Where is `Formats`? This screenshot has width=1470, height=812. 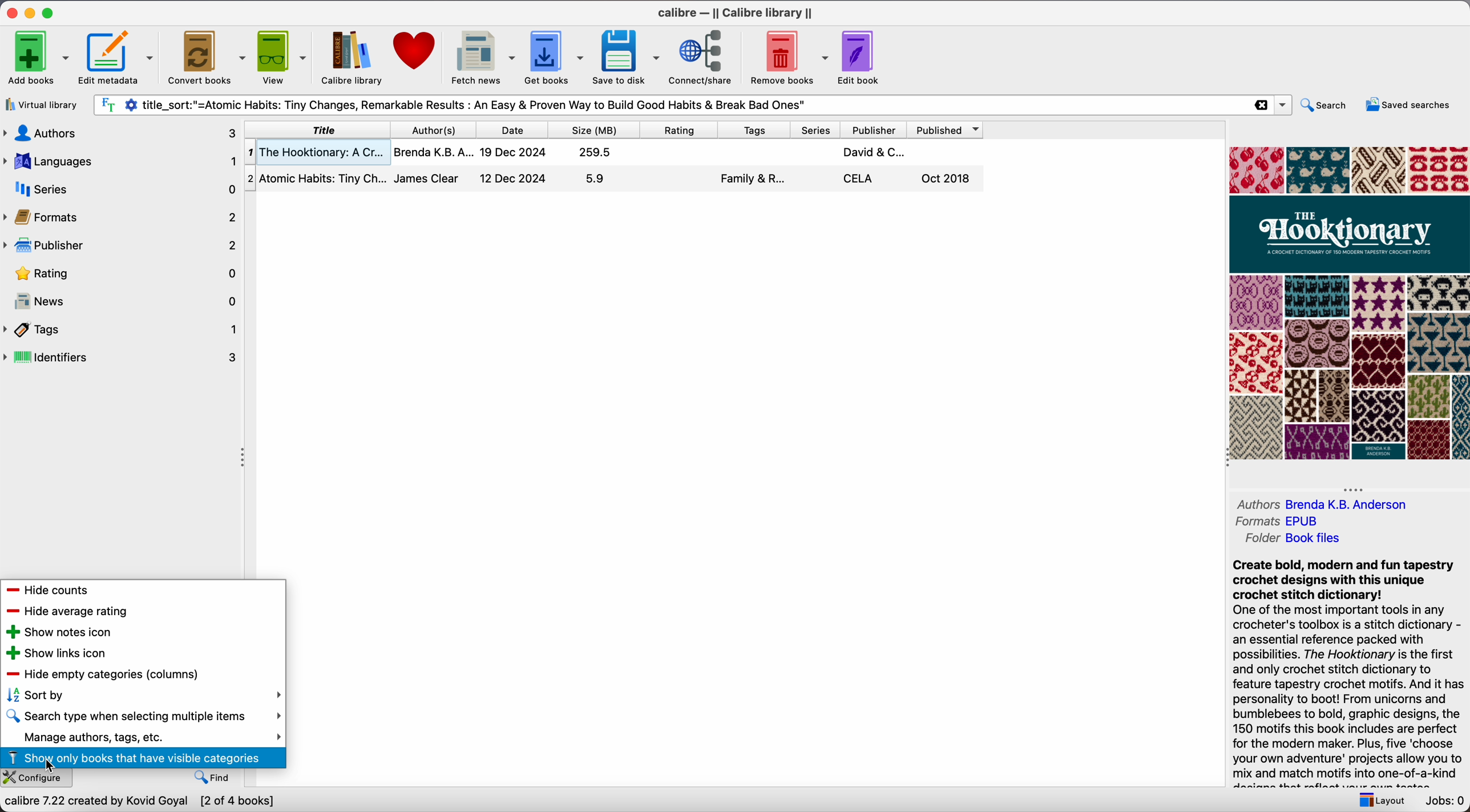 Formats is located at coordinates (1257, 523).